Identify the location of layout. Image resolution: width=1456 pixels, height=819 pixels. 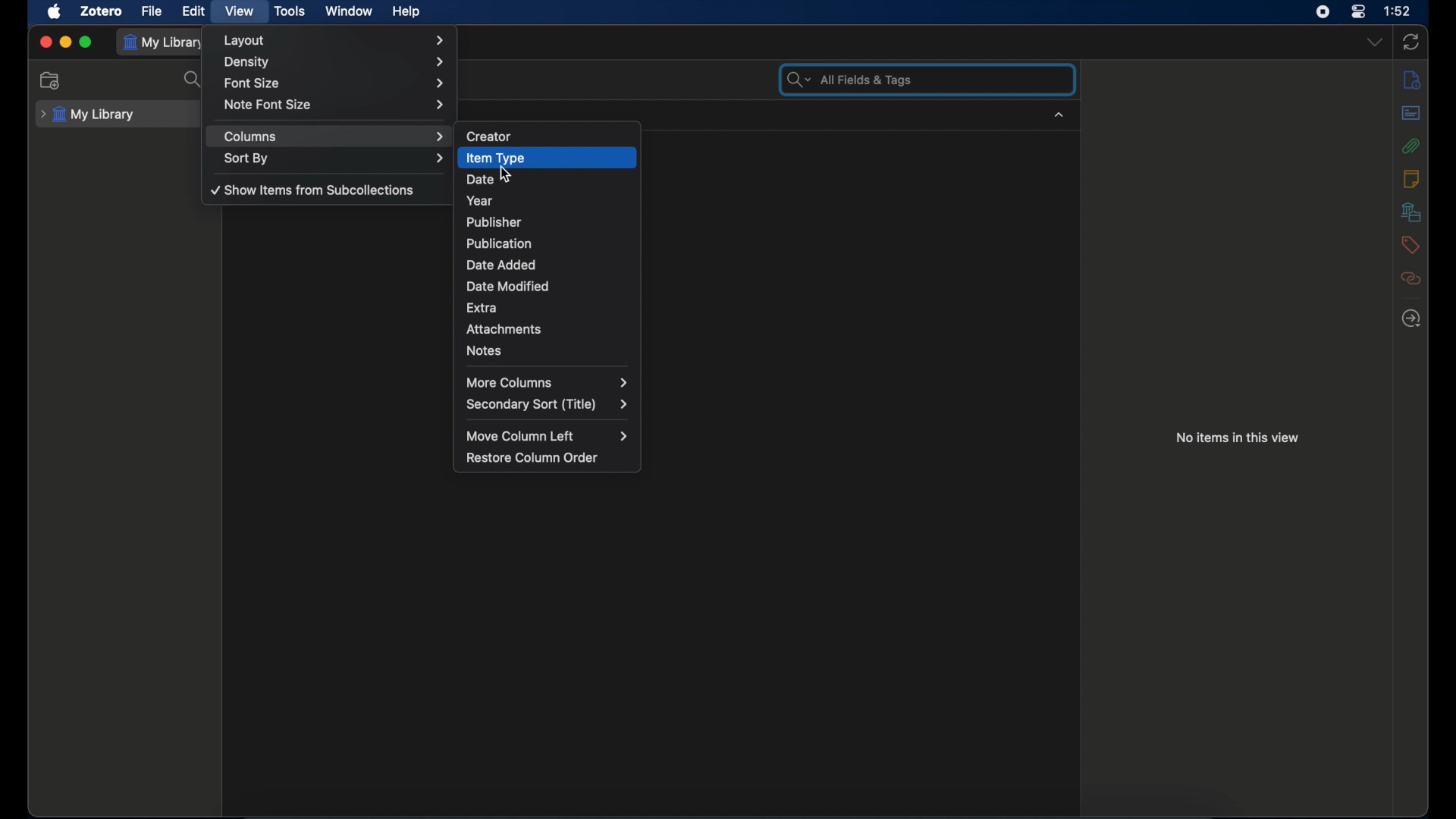
(334, 40).